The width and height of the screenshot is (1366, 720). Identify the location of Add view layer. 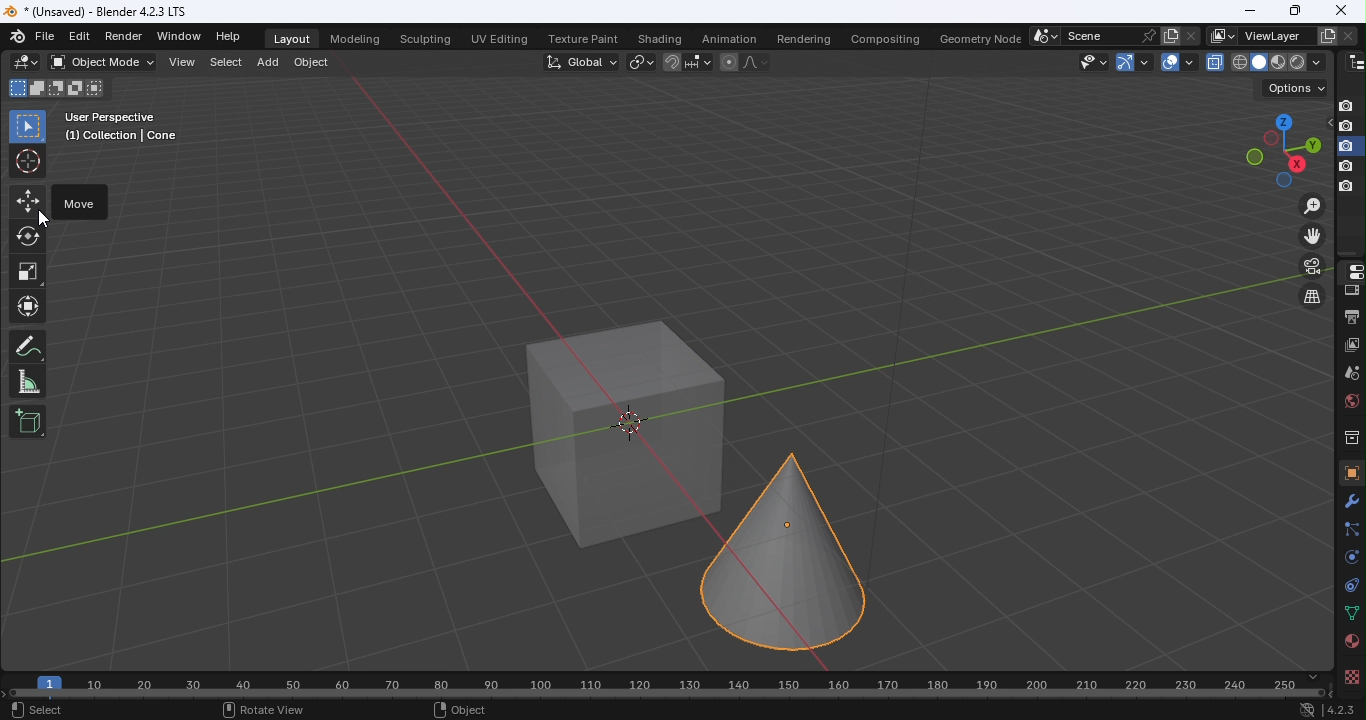
(1328, 34).